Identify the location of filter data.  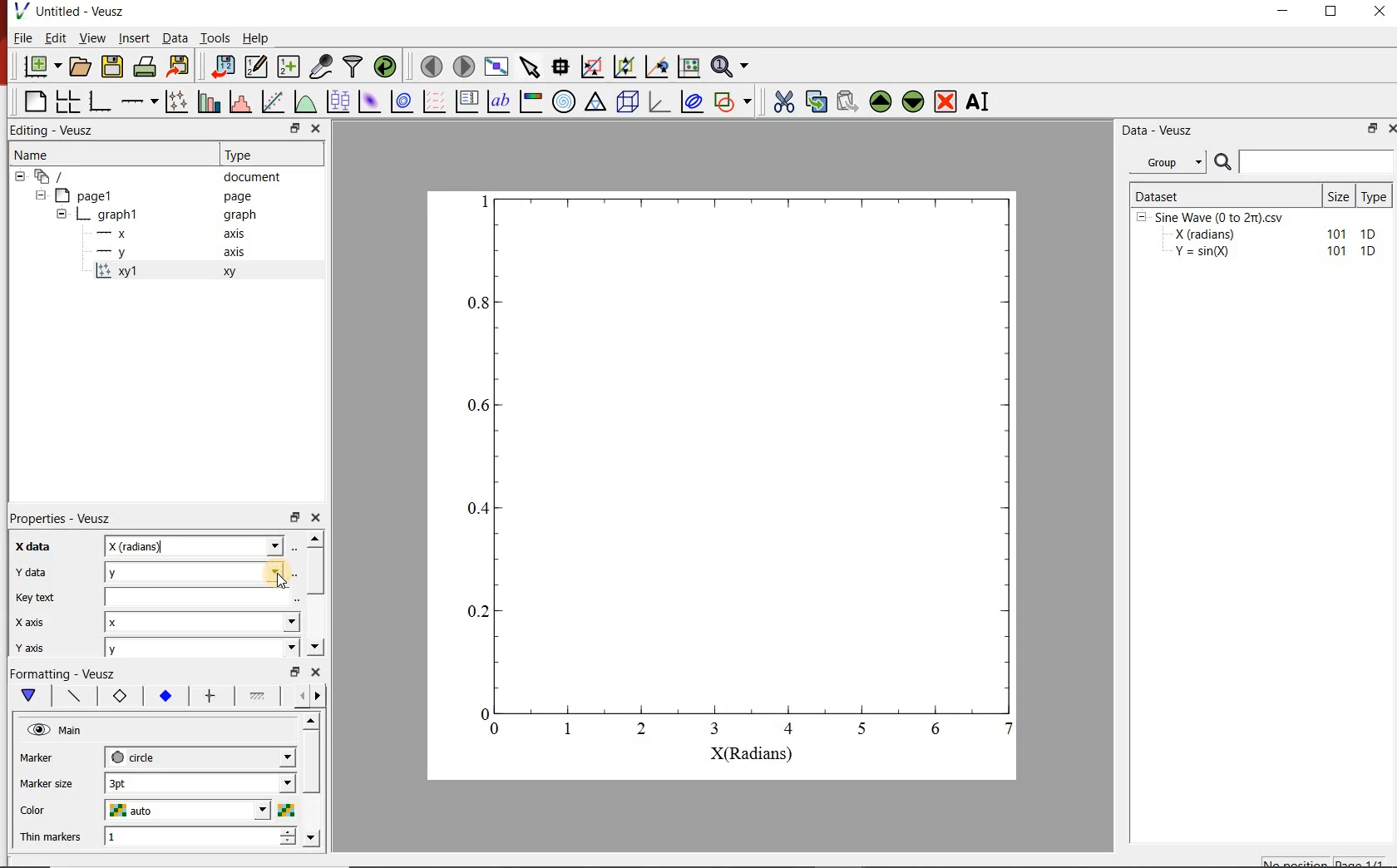
(354, 67).